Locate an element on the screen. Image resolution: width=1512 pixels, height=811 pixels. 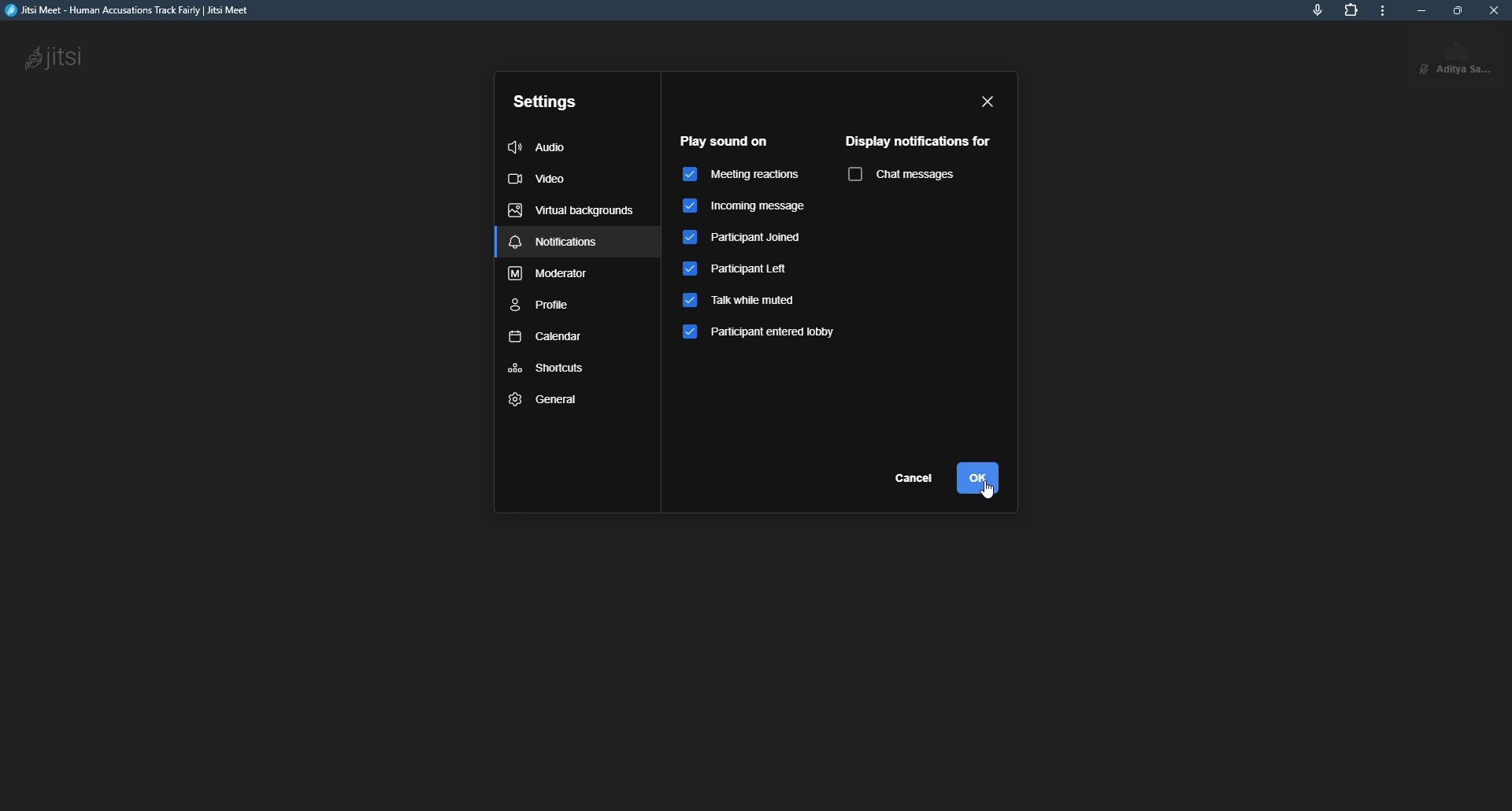
general is located at coordinates (546, 398).